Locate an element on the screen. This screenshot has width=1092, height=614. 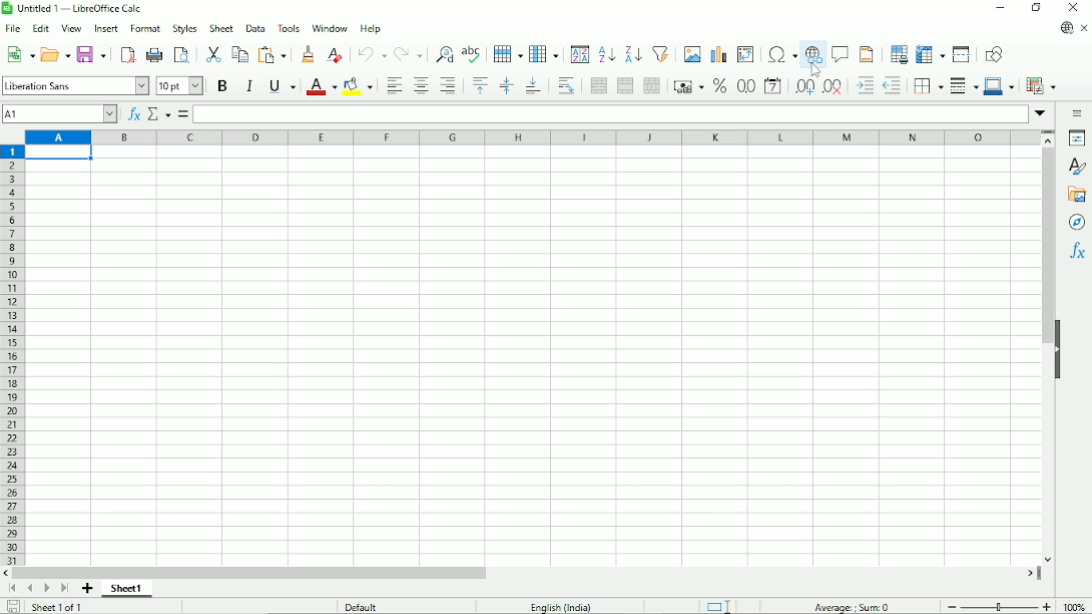
Align left is located at coordinates (394, 86).